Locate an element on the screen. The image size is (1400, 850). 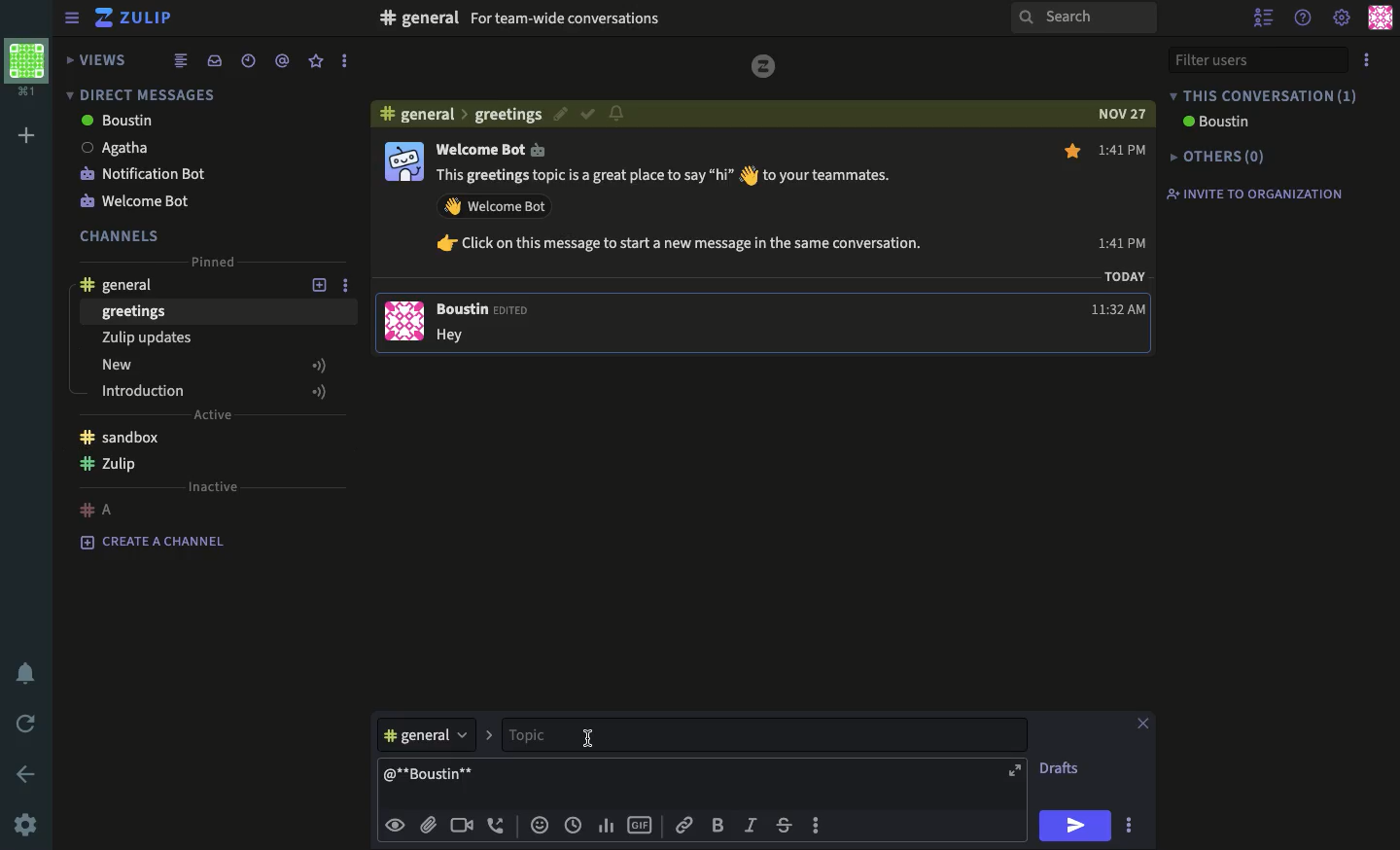
options is located at coordinates (1369, 59).